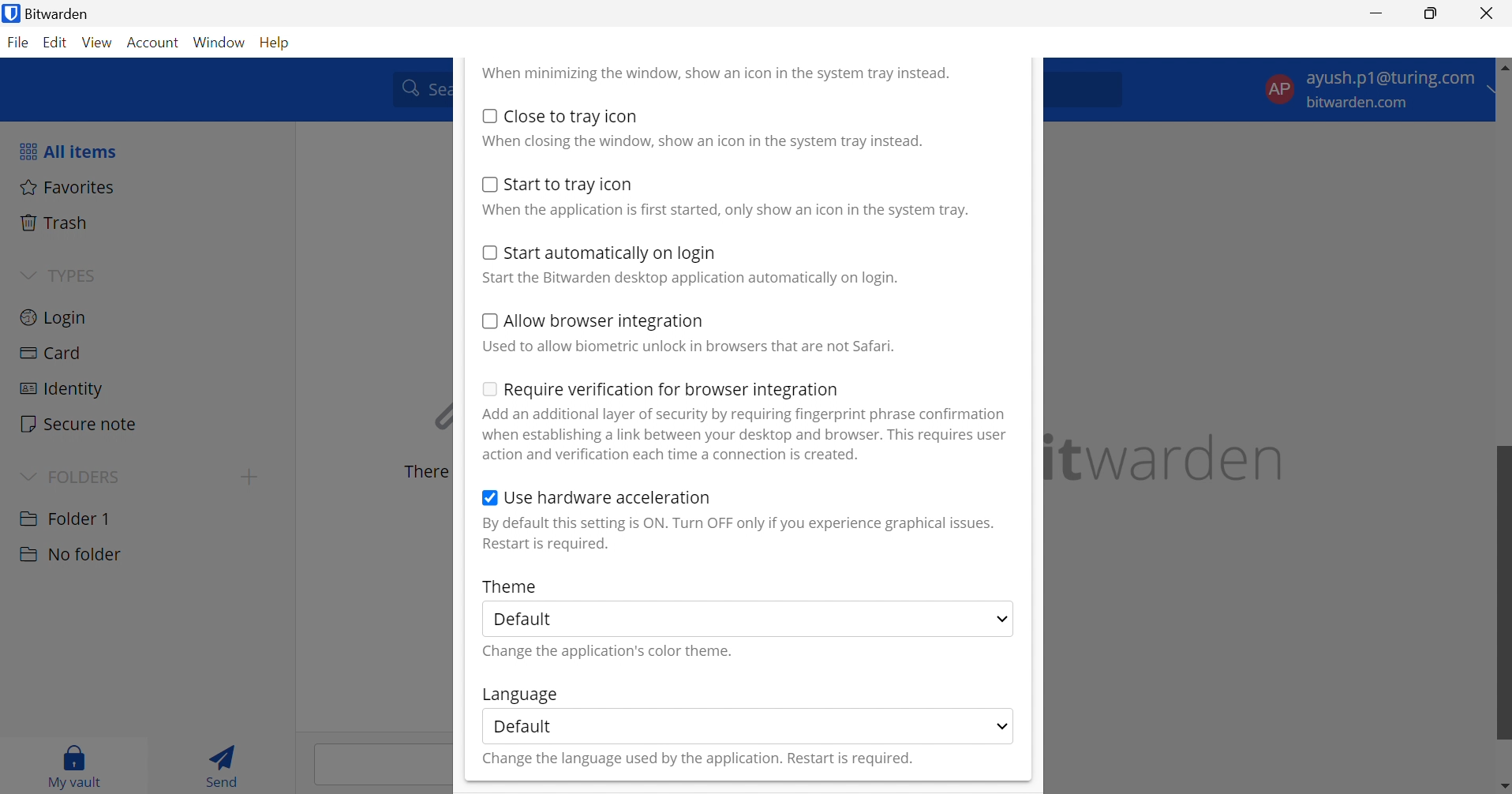 This screenshot has width=1512, height=794. Describe the element at coordinates (417, 88) in the screenshot. I see `Search vault` at that location.